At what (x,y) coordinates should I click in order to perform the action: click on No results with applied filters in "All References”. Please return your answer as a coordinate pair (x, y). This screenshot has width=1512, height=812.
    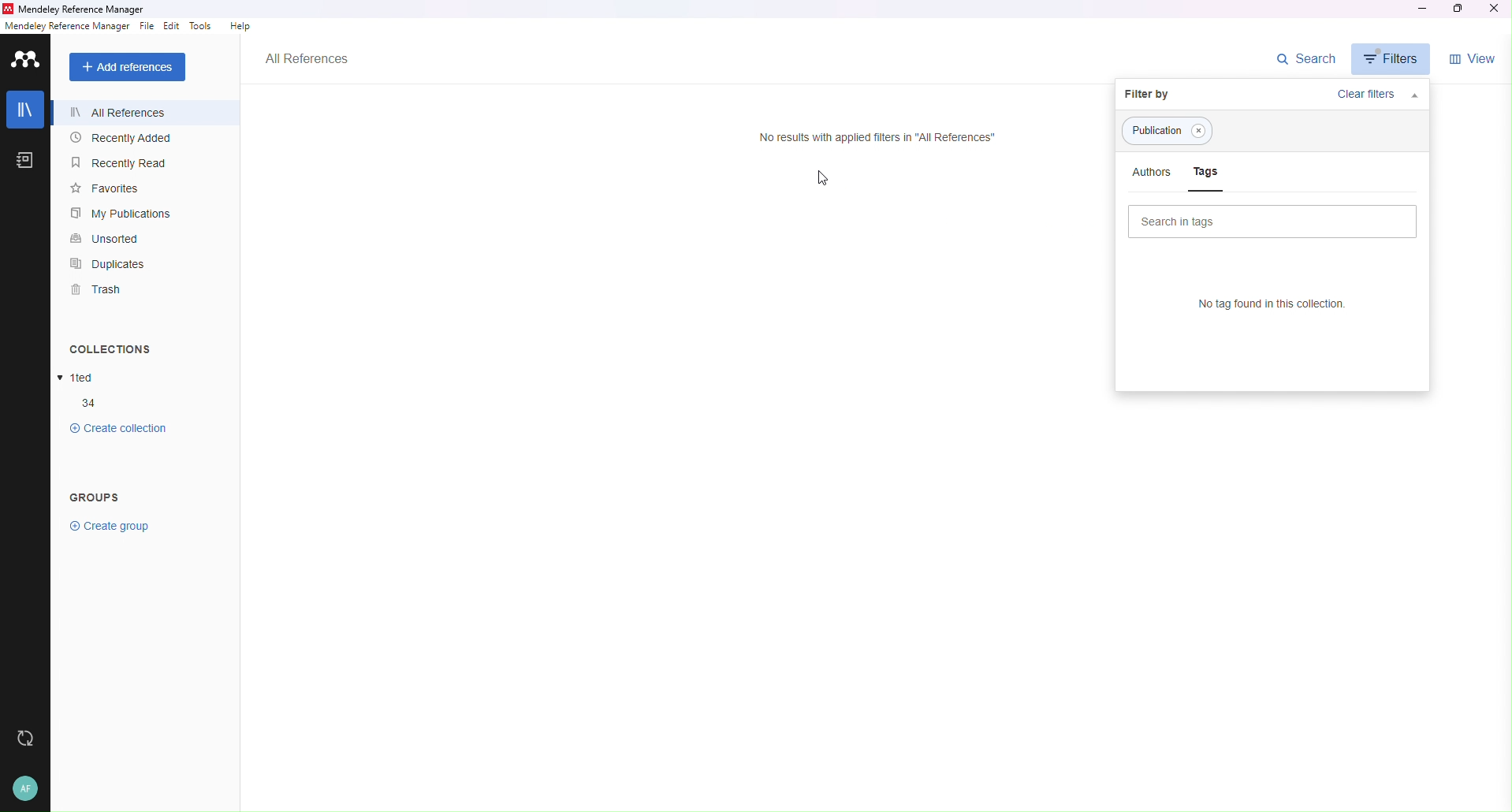
    Looking at the image, I should click on (868, 136).